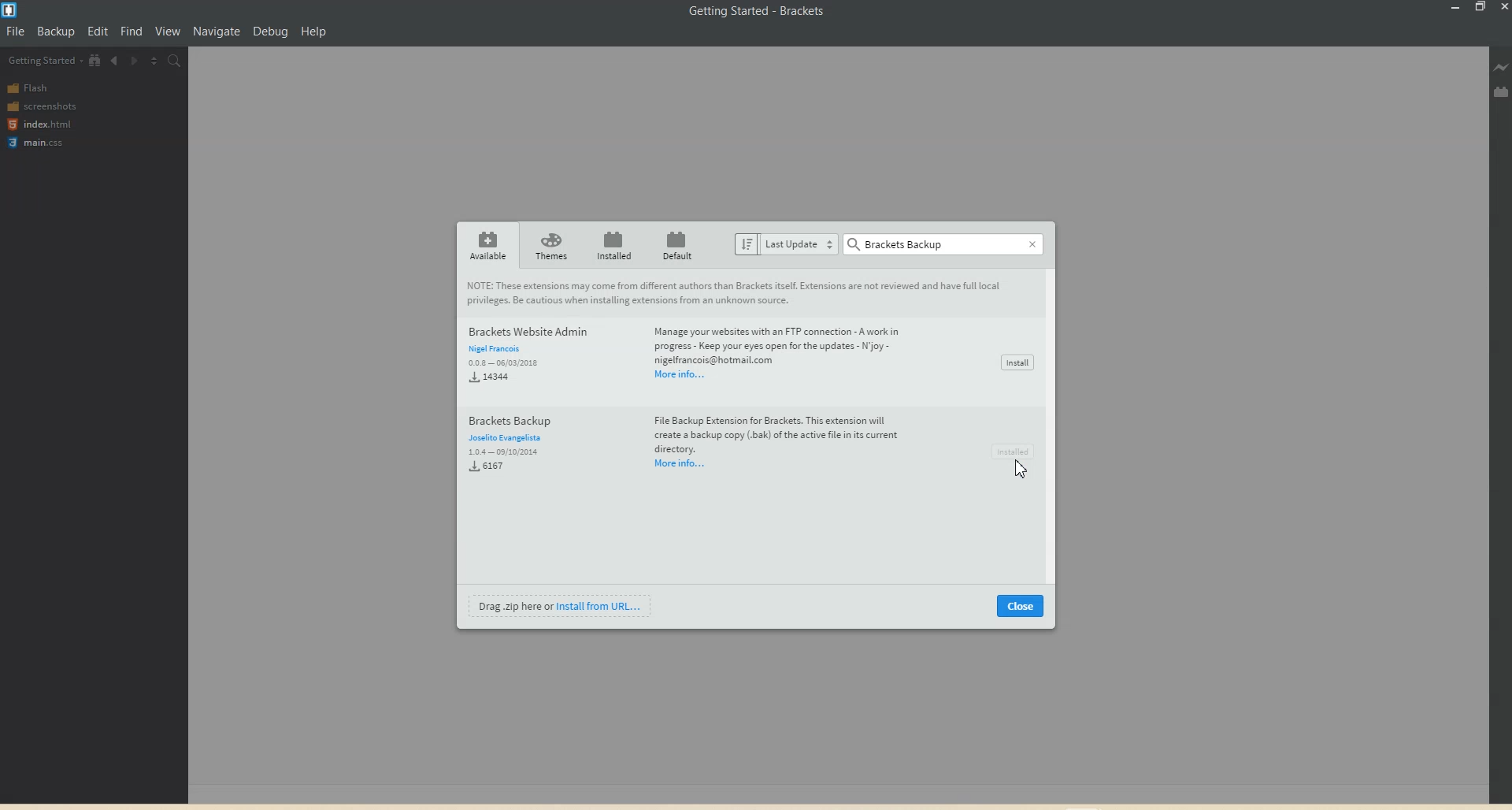 The image size is (1512, 810). What do you see at coordinates (1054, 427) in the screenshot?
I see `Vertical scroll bar` at bounding box center [1054, 427].